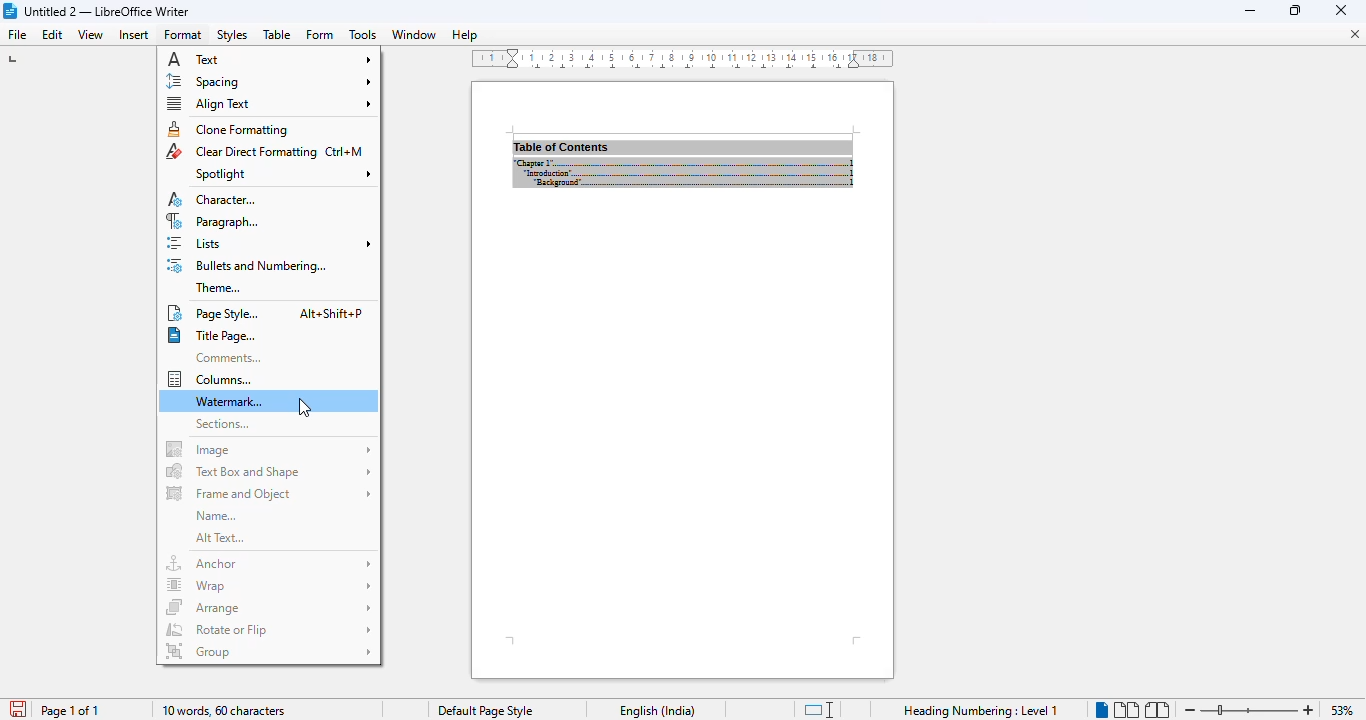 The height and width of the screenshot is (720, 1366). What do you see at coordinates (1297, 11) in the screenshot?
I see `maximize` at bounding box center [1297, 11].